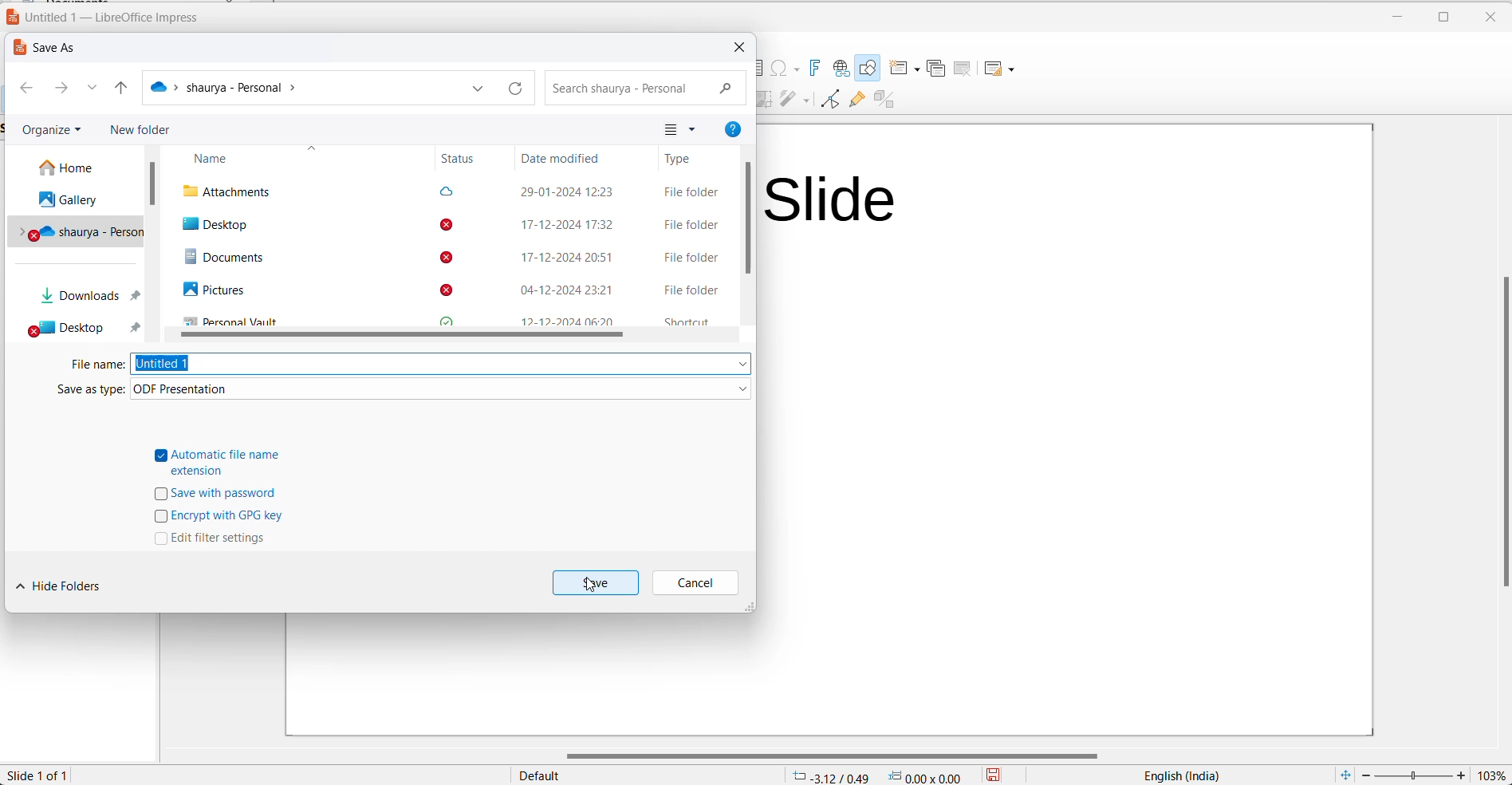 Image resolution: width=1512 pixels, height=785 pixels. Describe the element at coordinates (447, 191) in the screenshot. I see `FILE STATUS: back up completed` at that location.